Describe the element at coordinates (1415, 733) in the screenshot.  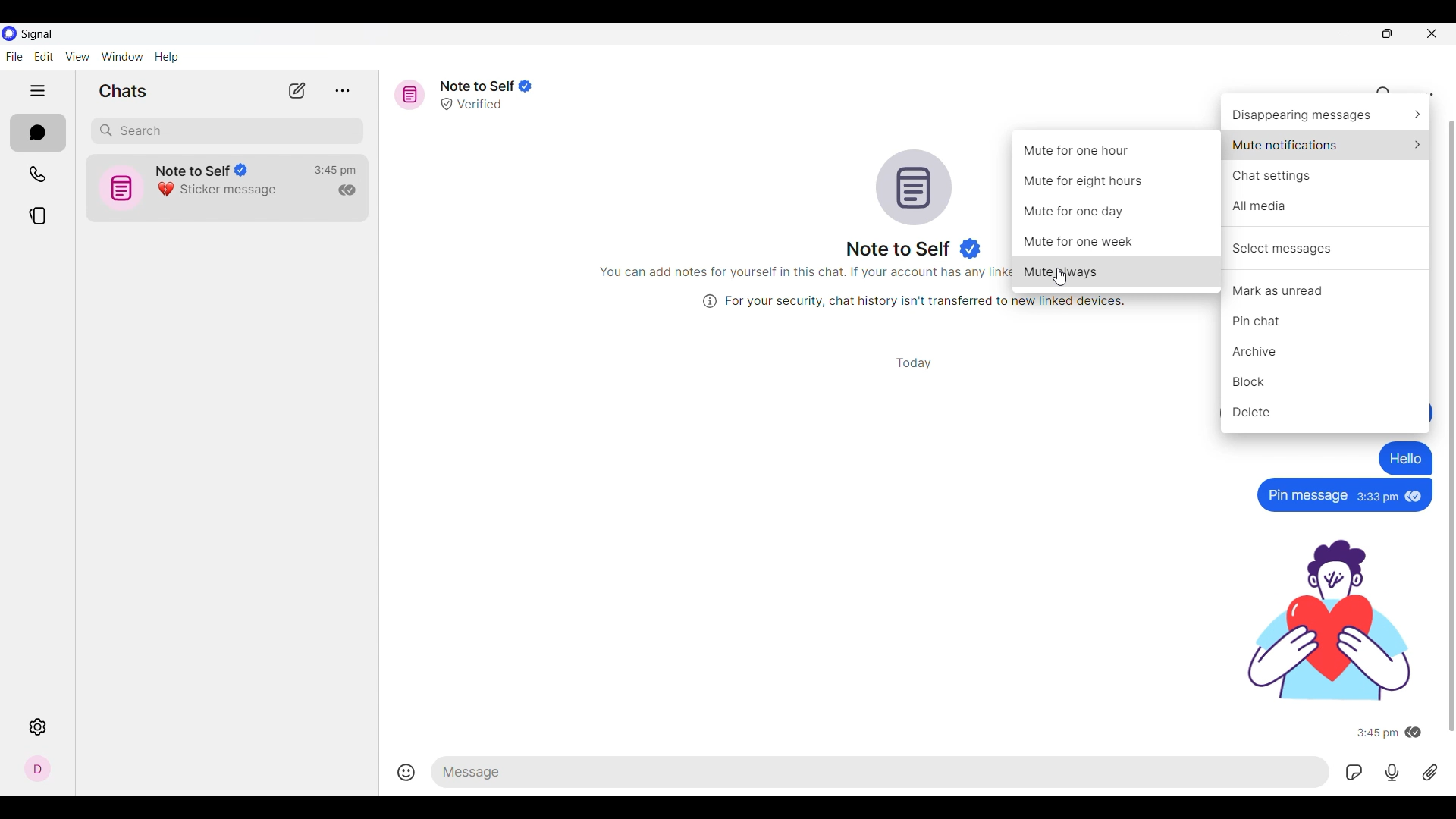
I see `seen` at that location.